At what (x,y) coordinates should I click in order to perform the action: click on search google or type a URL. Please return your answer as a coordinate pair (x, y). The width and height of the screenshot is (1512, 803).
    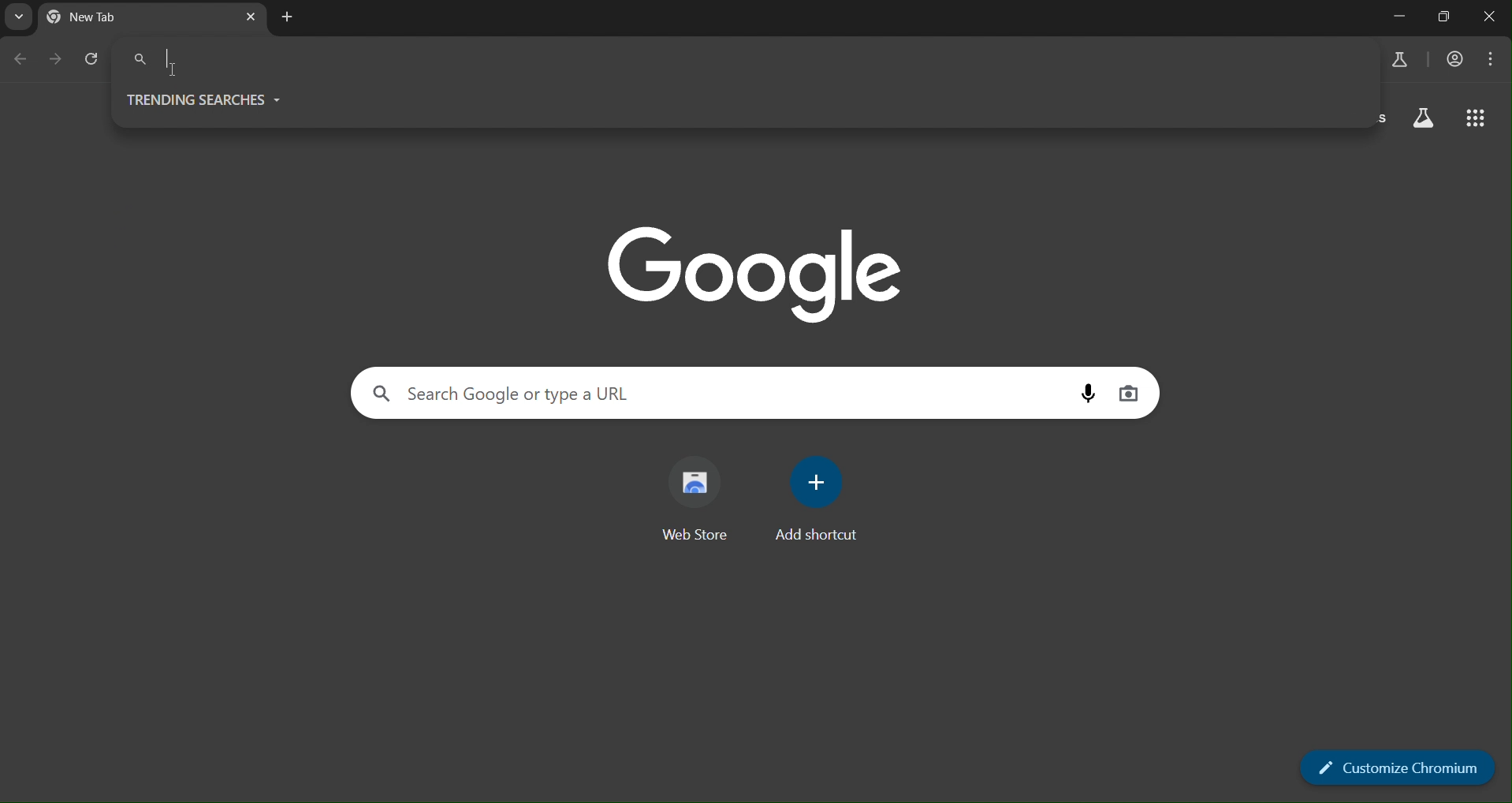
    Looking at the image, I should click on (516, 394).